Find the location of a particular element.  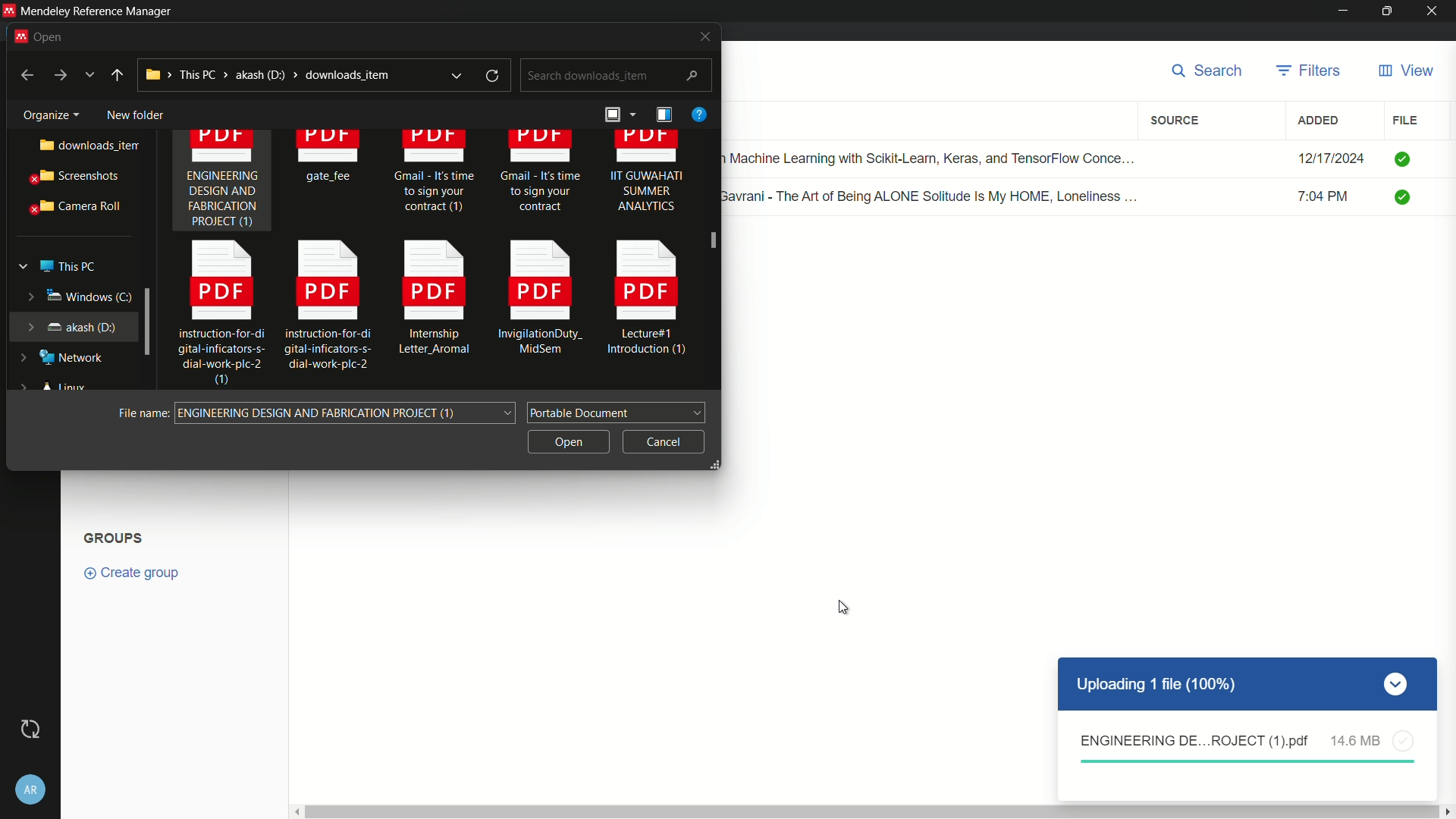

vertical scroll bar is located at coordinates (870, 811).